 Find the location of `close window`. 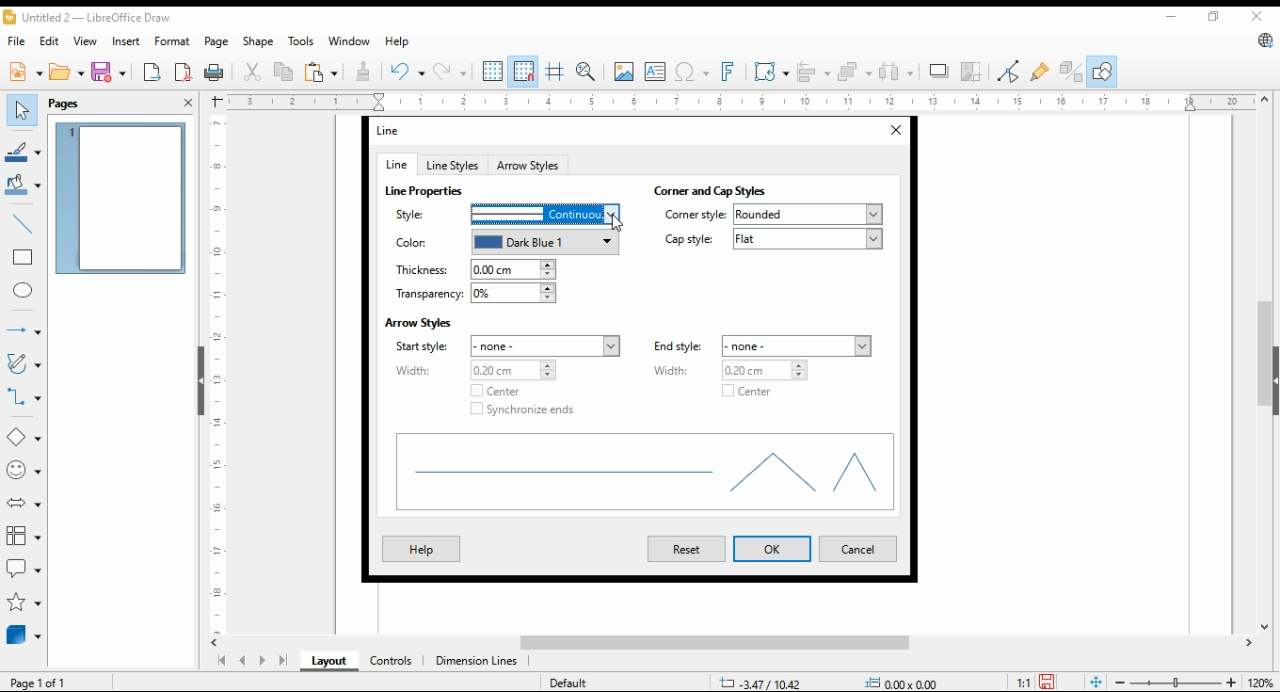

close window is located at coordinates (1258, 16).